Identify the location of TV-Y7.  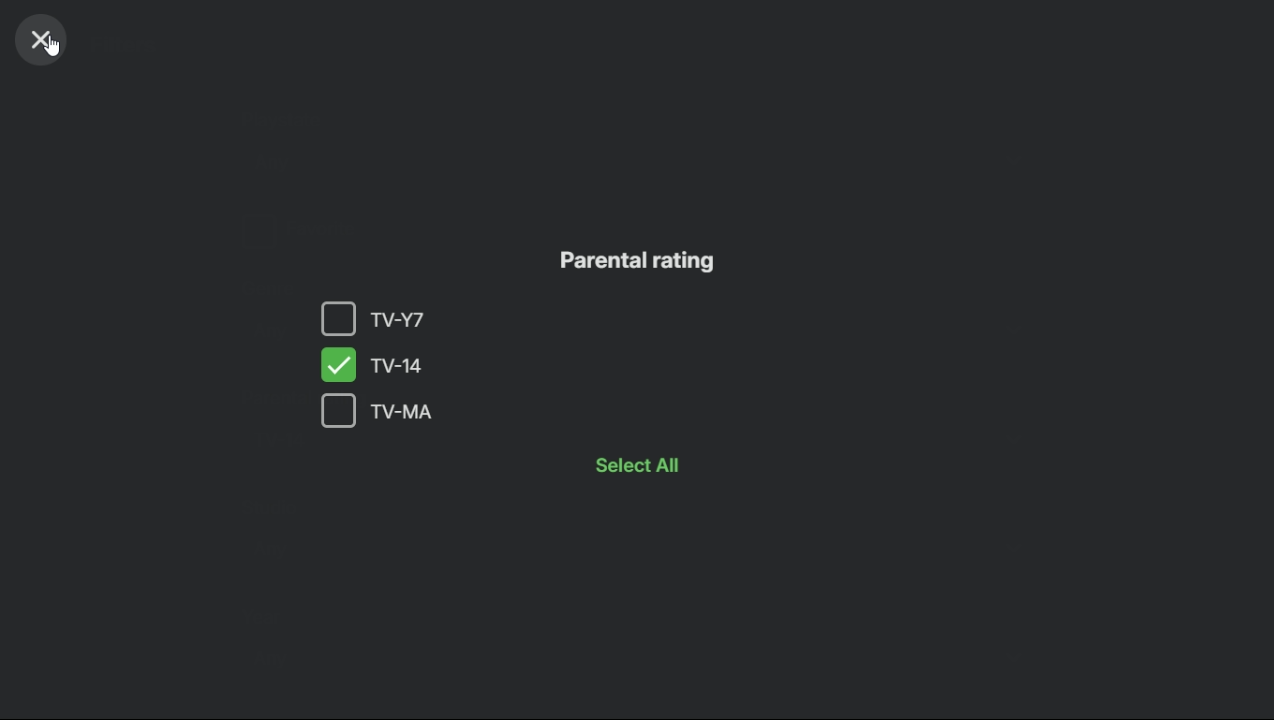
(376, 319).